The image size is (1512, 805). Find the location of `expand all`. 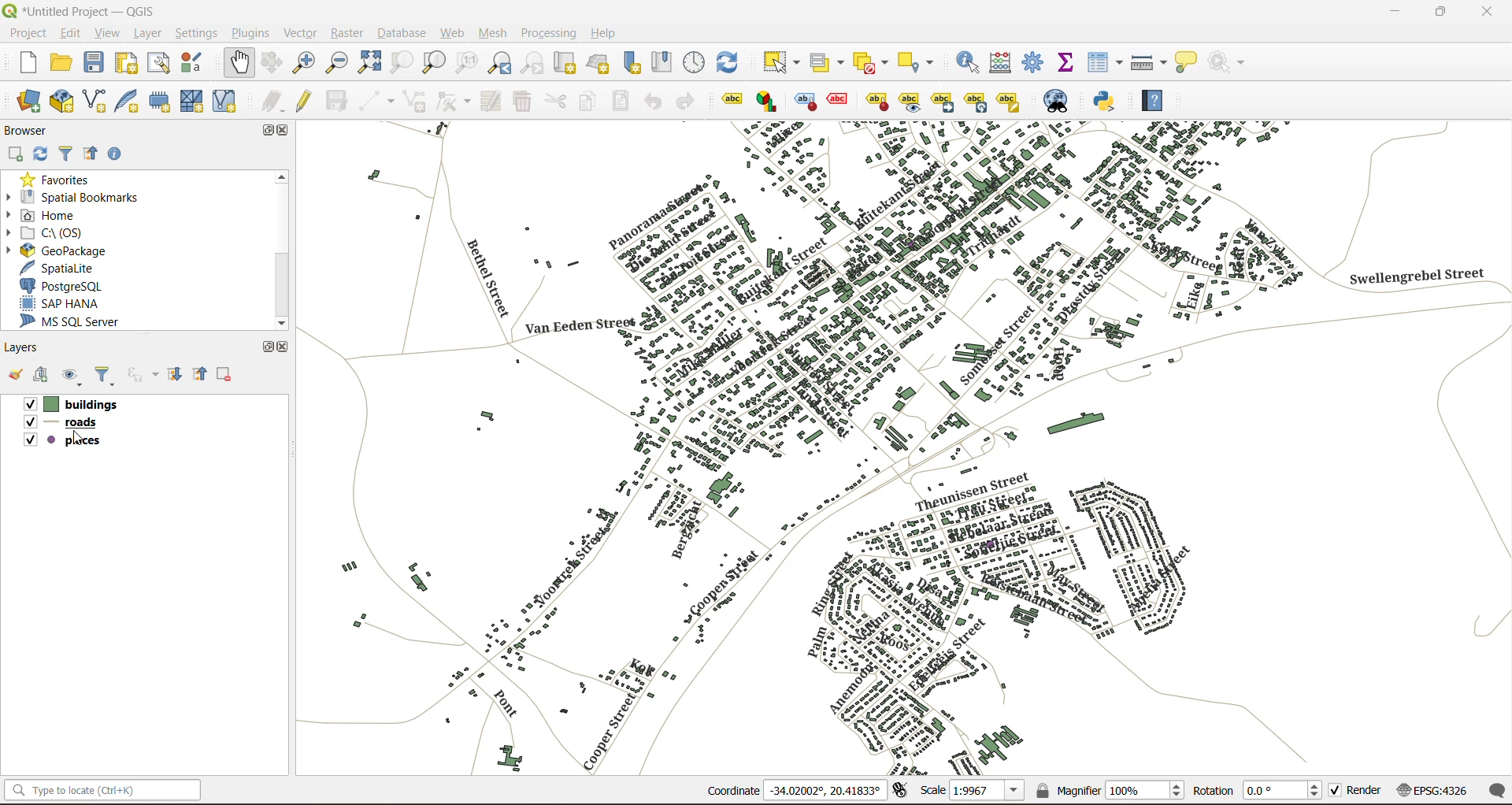

expand all is located at coordinates (171, 377).